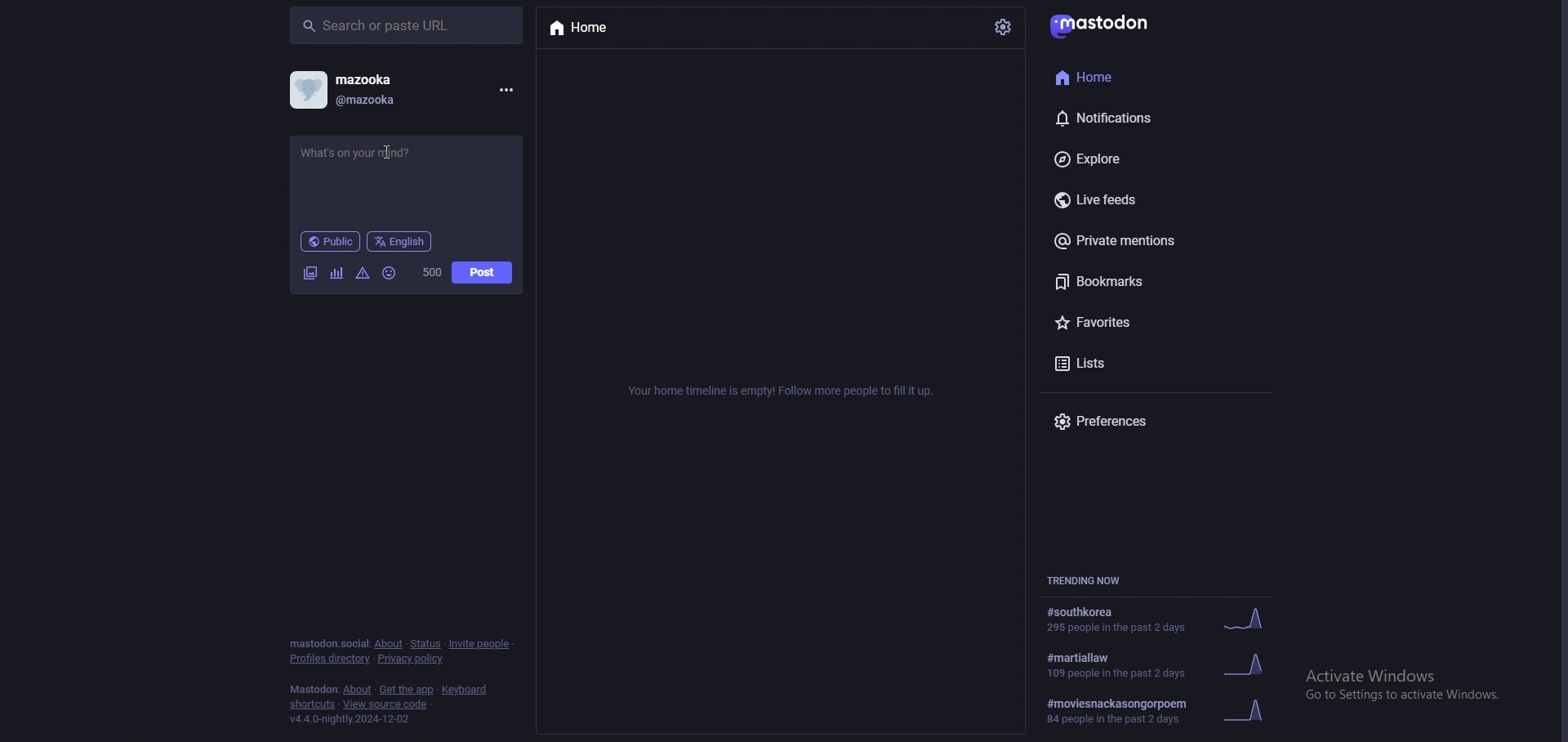 This screenshot has width=1568, height=742. Describe the element at coordinates (336, 274) in the screenshot. I see `polls` at that location.